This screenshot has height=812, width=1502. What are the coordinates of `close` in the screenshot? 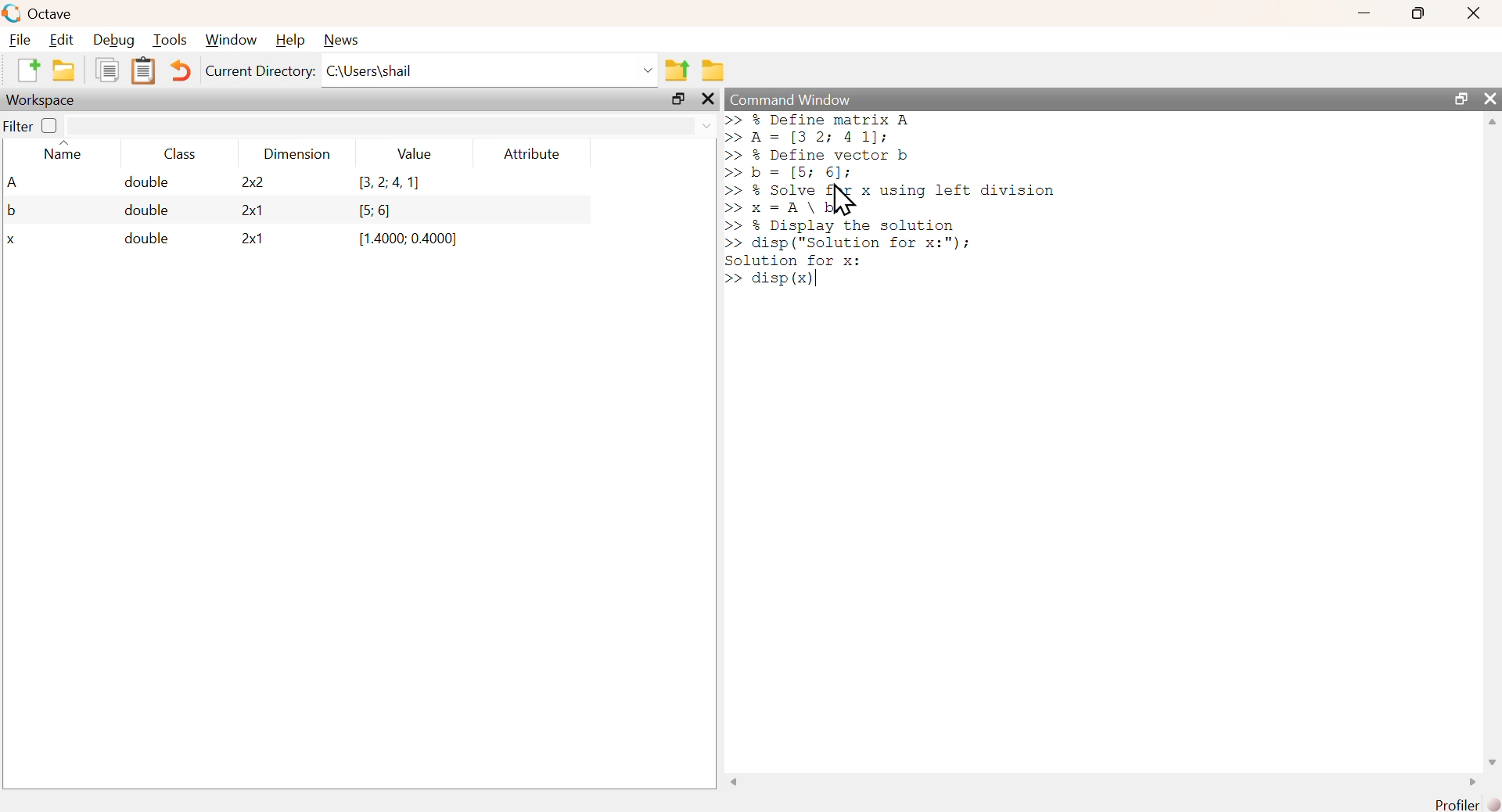 It's located at (1472, 14).